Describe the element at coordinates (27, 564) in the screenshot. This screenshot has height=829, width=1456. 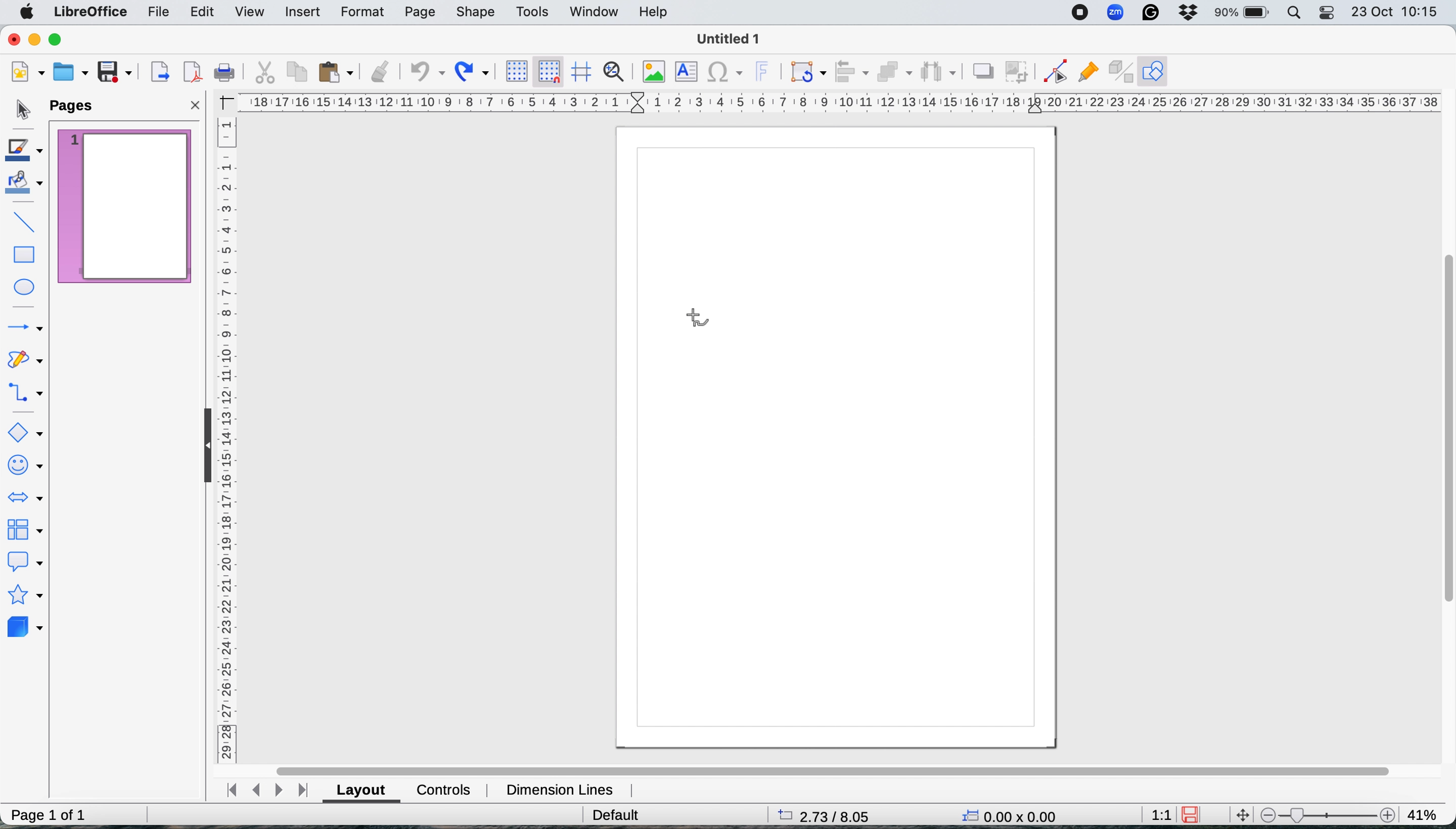
I see `callout shapes` at that location.